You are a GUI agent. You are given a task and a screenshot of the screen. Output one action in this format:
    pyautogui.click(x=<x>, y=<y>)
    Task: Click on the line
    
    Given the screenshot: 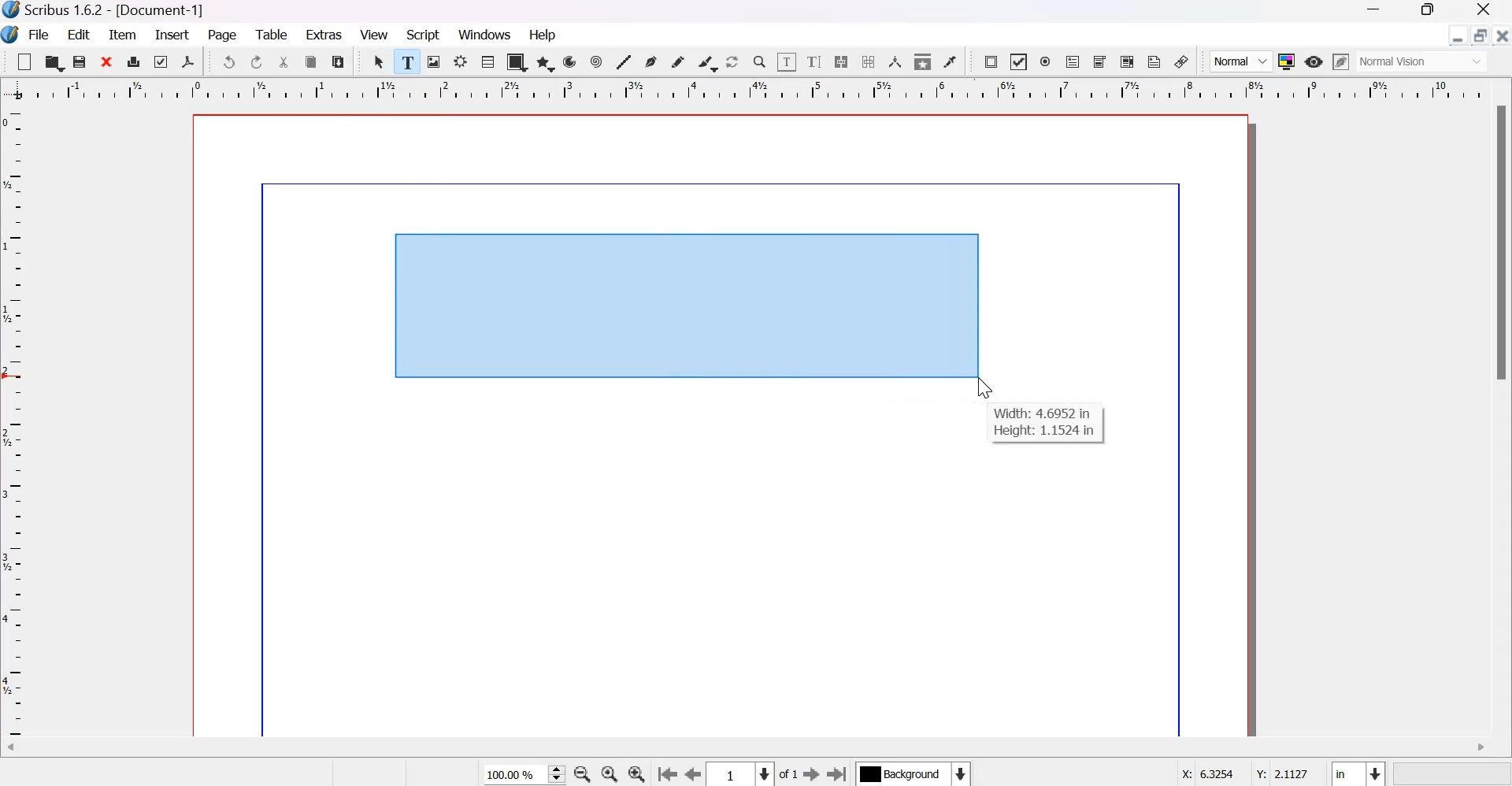 What is the action you would take?
    pyautogui.click(x=623, y=61)
    